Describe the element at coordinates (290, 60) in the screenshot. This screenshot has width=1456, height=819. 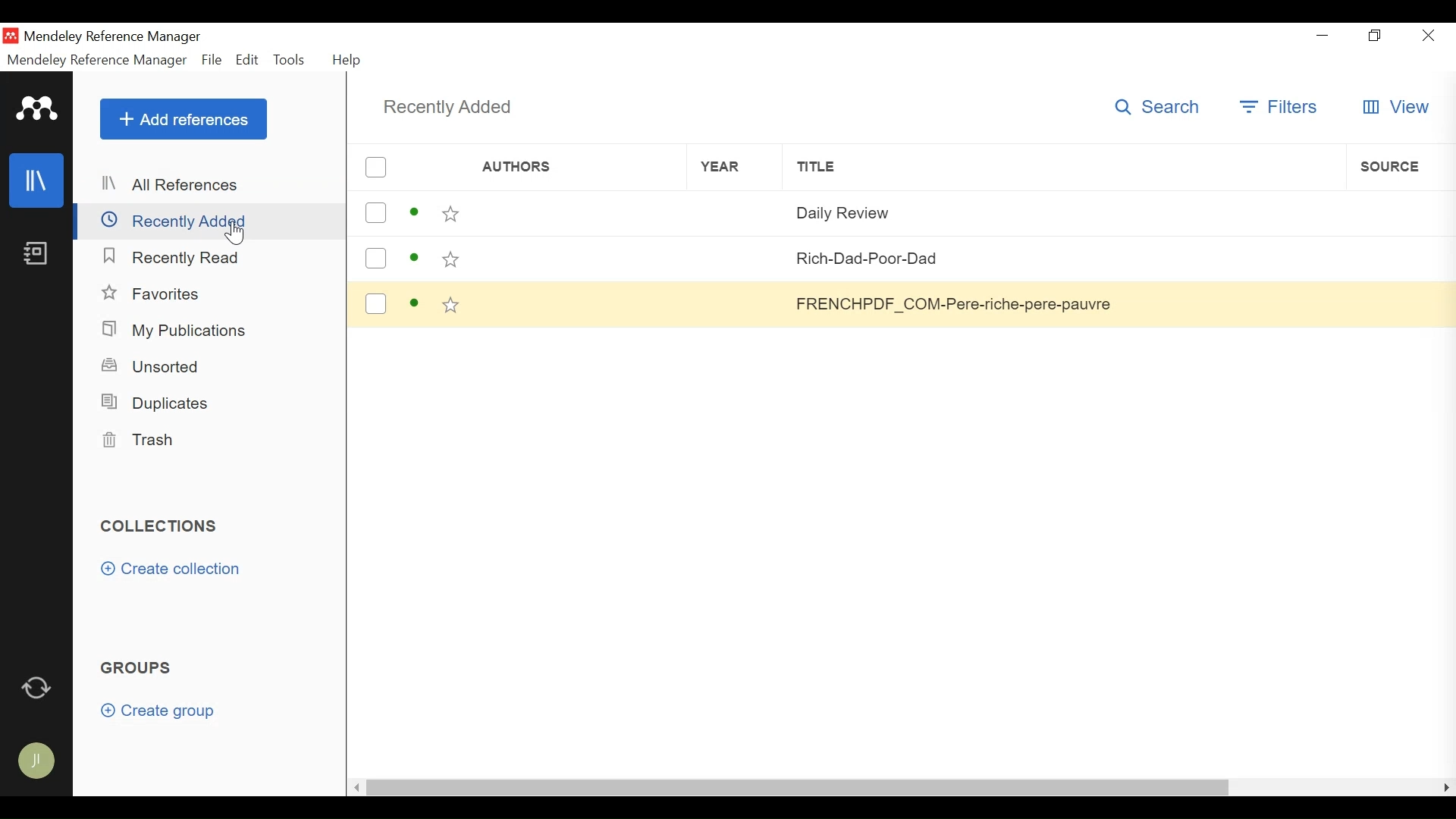
I see `Tools` at that location.